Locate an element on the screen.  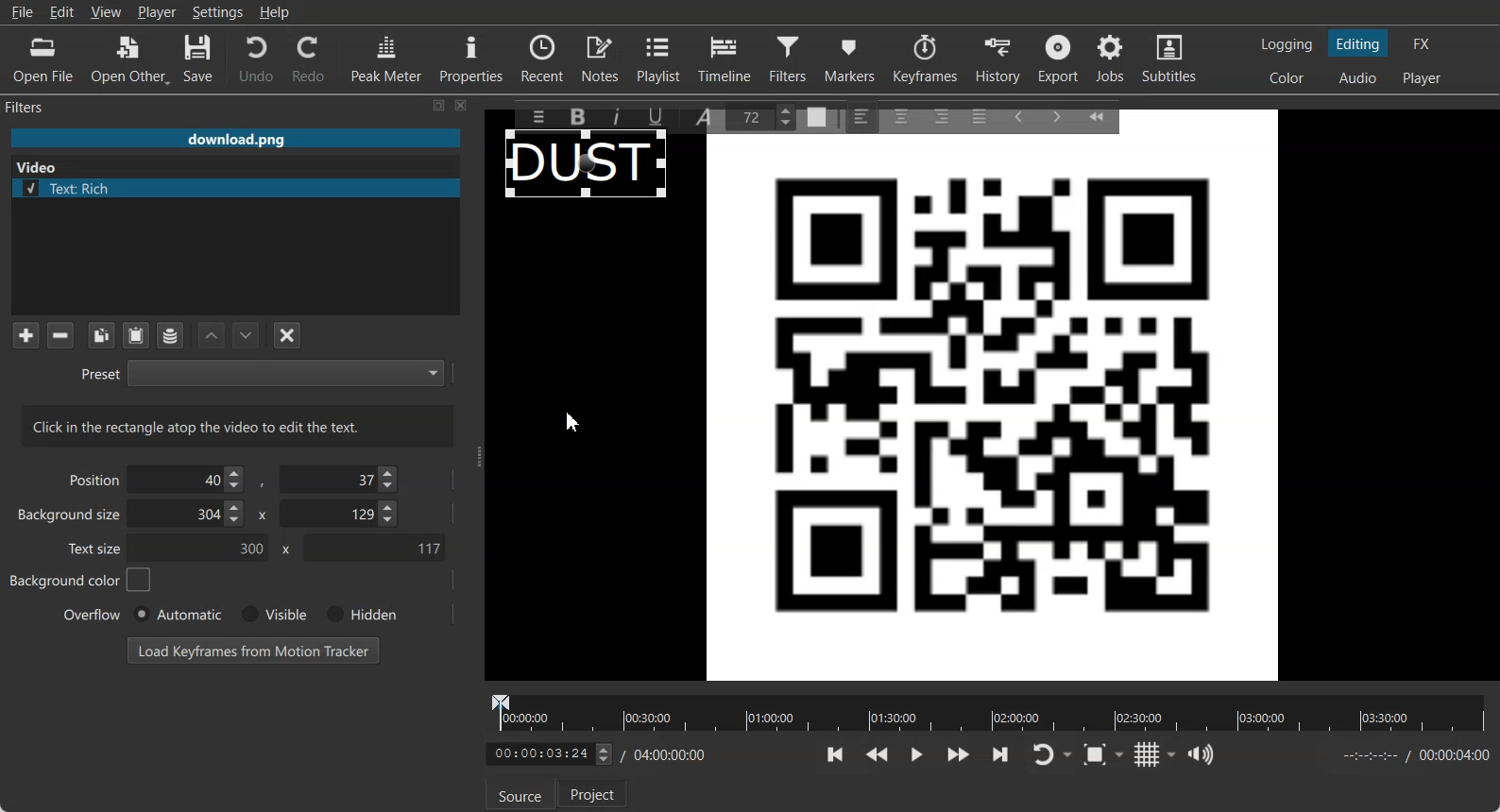
Open File is located at coordinates (43, 60).